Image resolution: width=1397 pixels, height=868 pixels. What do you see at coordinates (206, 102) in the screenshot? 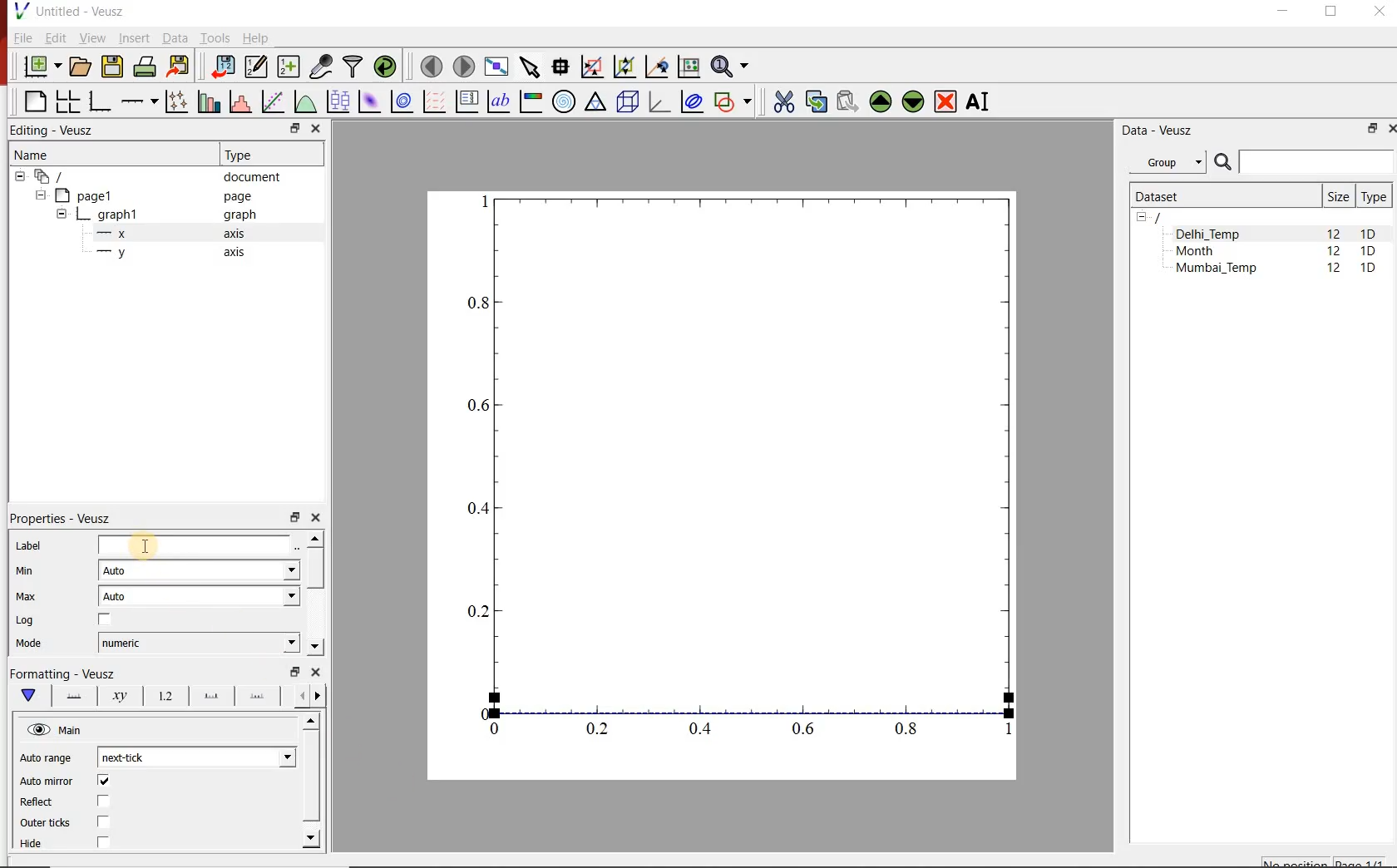
I see `plot bar charts` at bounding box center [206, 102].